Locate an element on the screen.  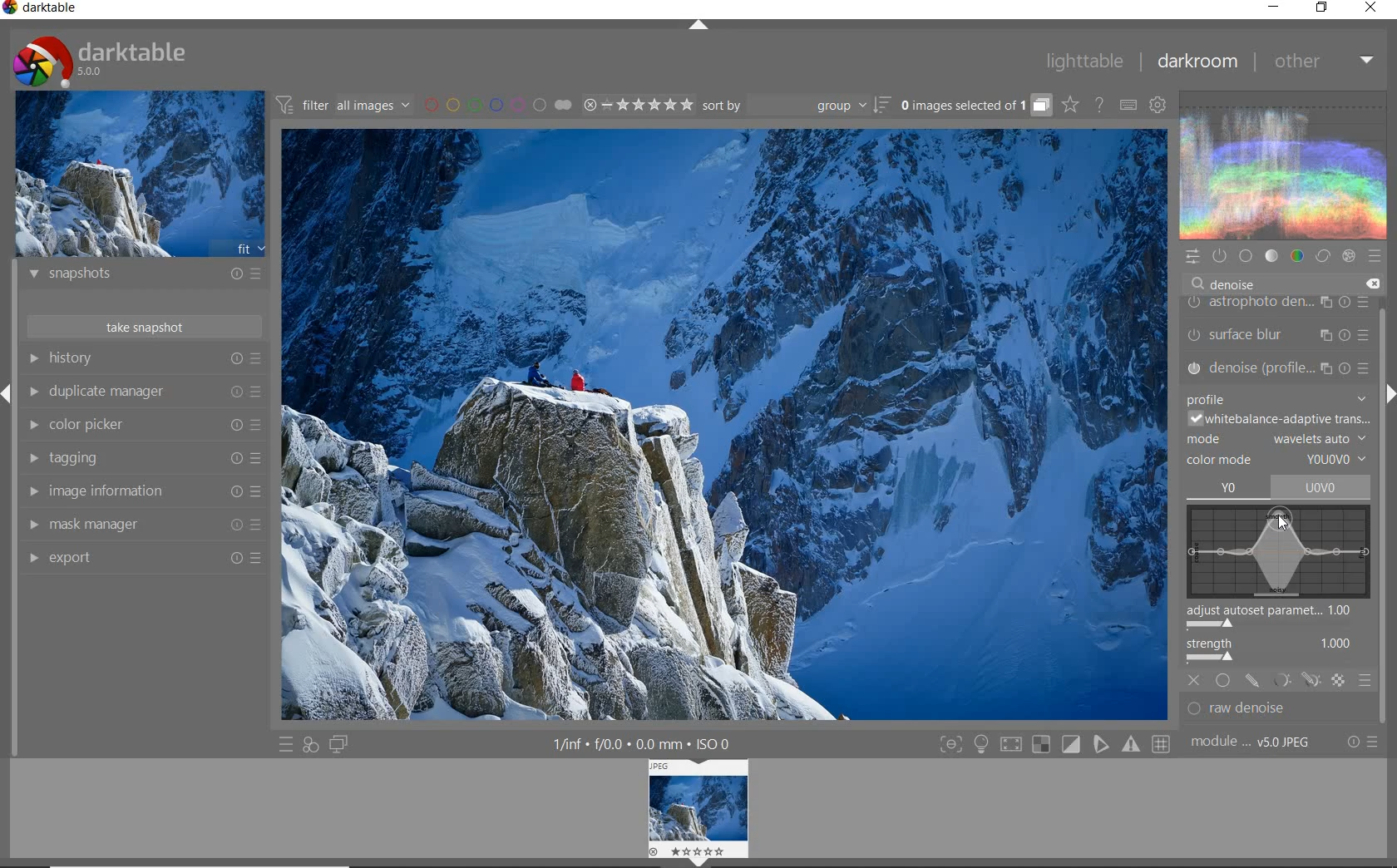
CURSOR is located at coordinates (1285, 525).